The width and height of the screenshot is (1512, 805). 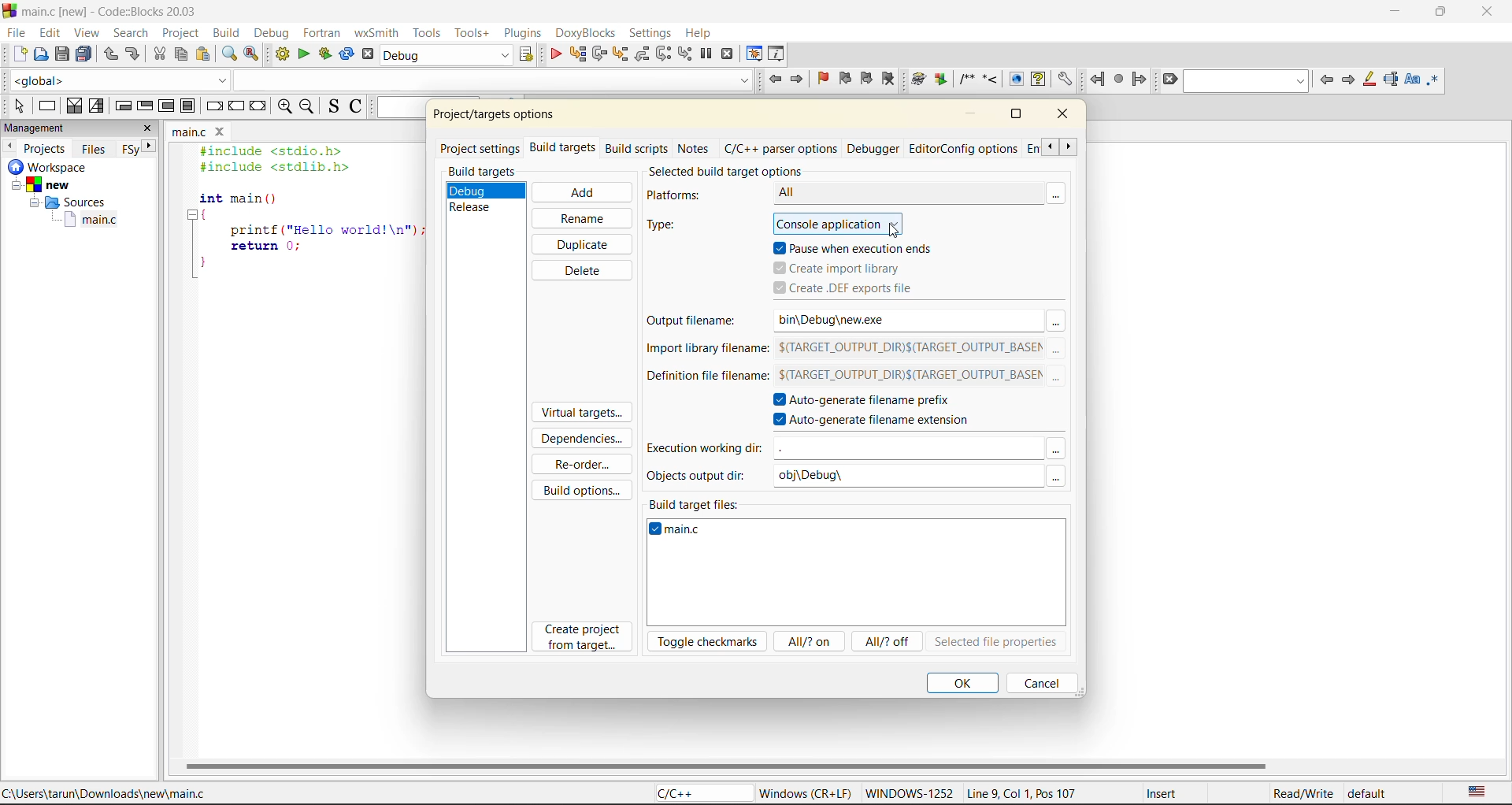 I want to click on help, so click(x=702, y=34).